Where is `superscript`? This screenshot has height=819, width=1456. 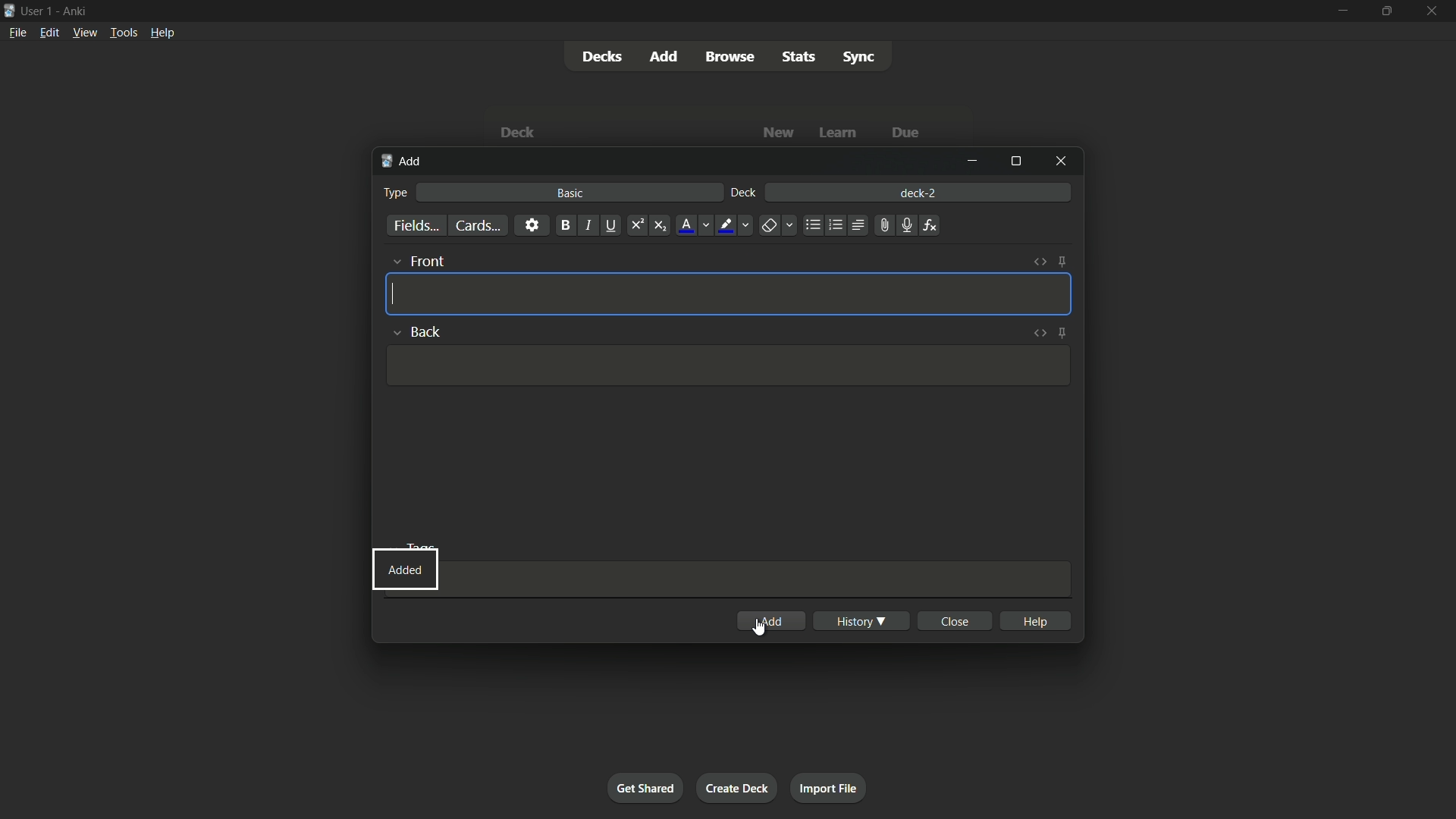
superscript is located at coordinates (637, 226).